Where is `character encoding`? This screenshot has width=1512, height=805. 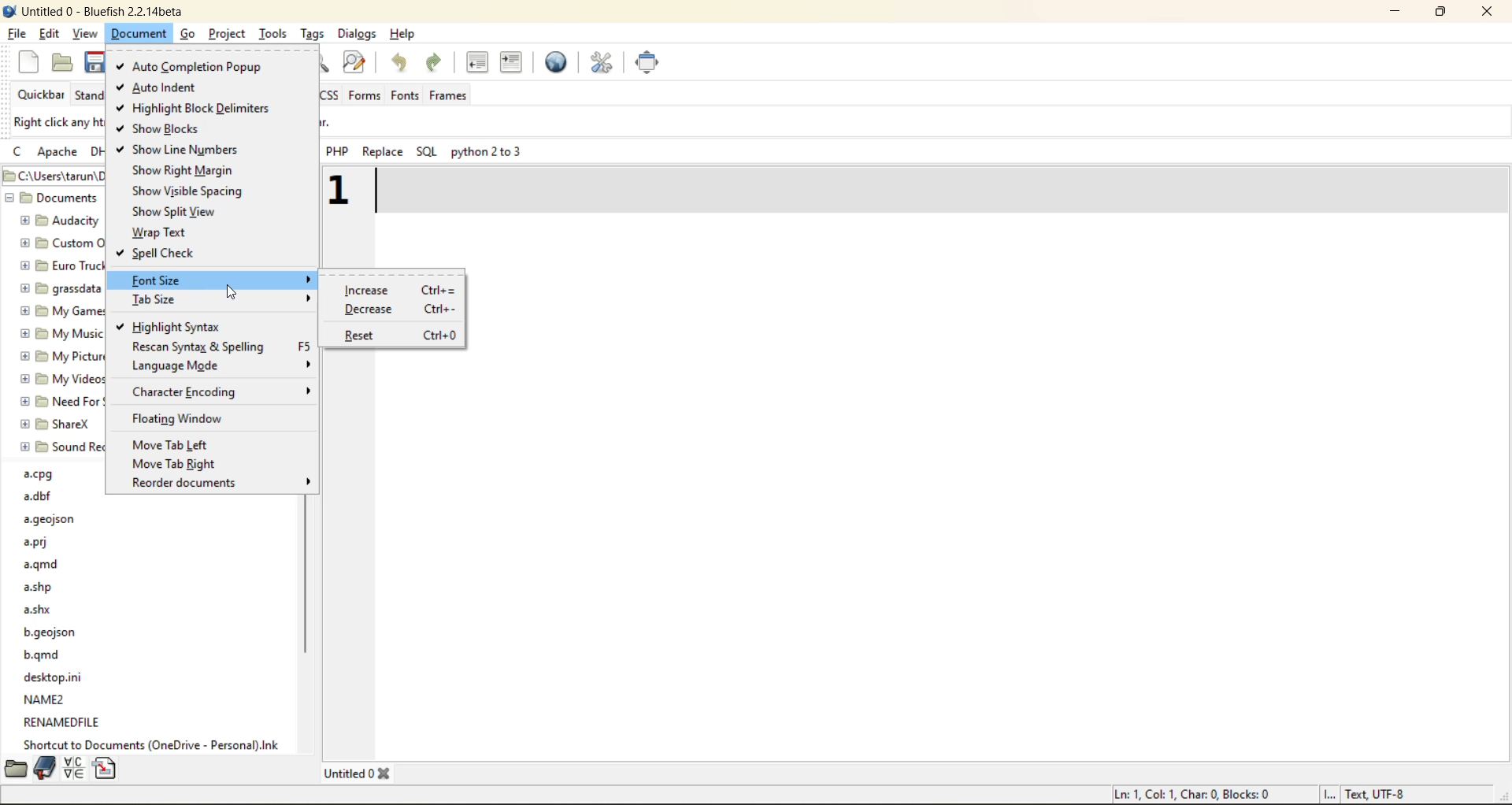
character encoding is located at coordinates (187, 391).